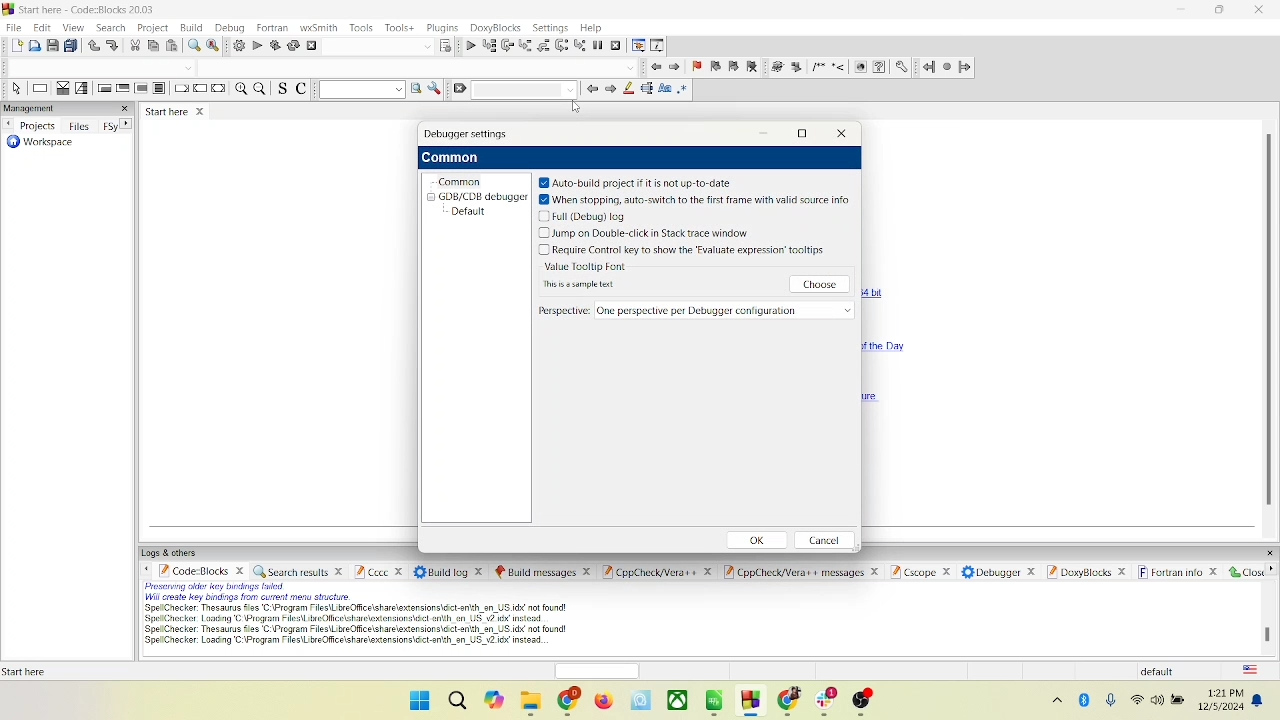  I want to click on build message, so click(544, 571).